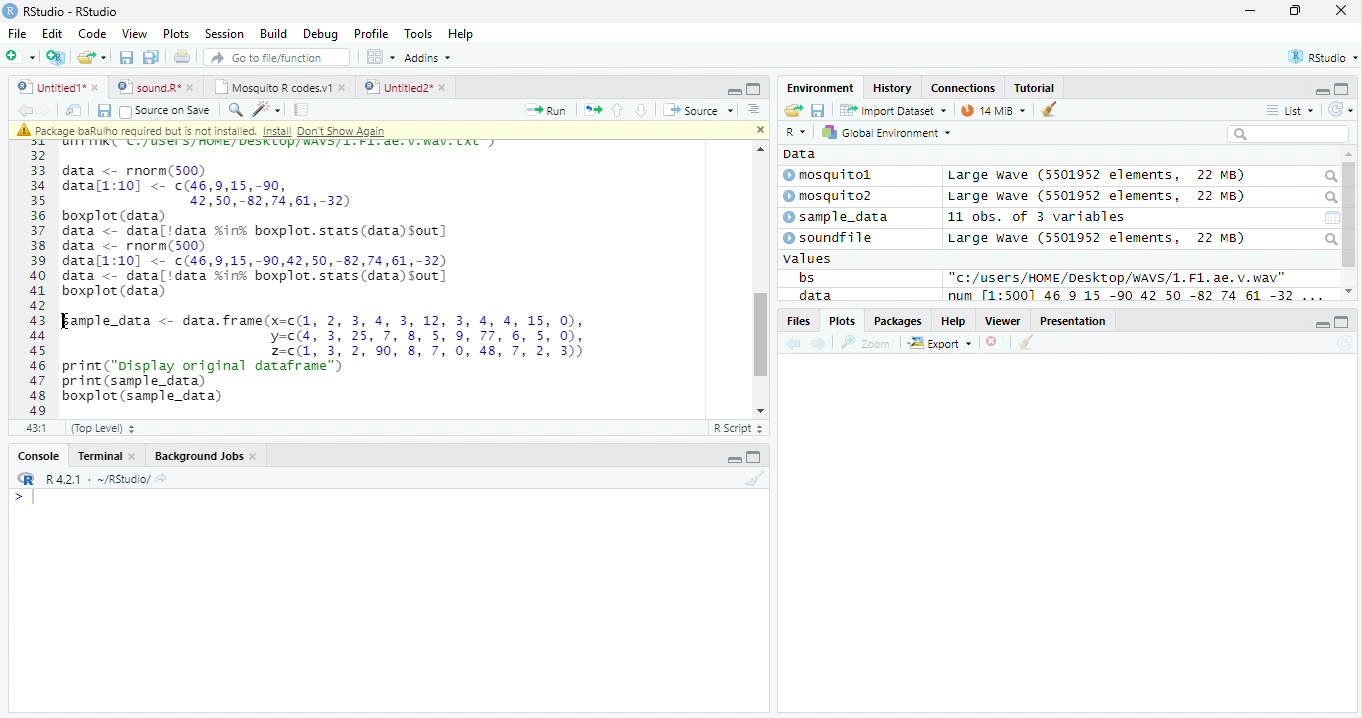 The height and width of the screenshot is (718, 1362). What do you see at coordinates (831, 176) in the screenshot?
I see `mosquito1` at bounding box center [831, 176].